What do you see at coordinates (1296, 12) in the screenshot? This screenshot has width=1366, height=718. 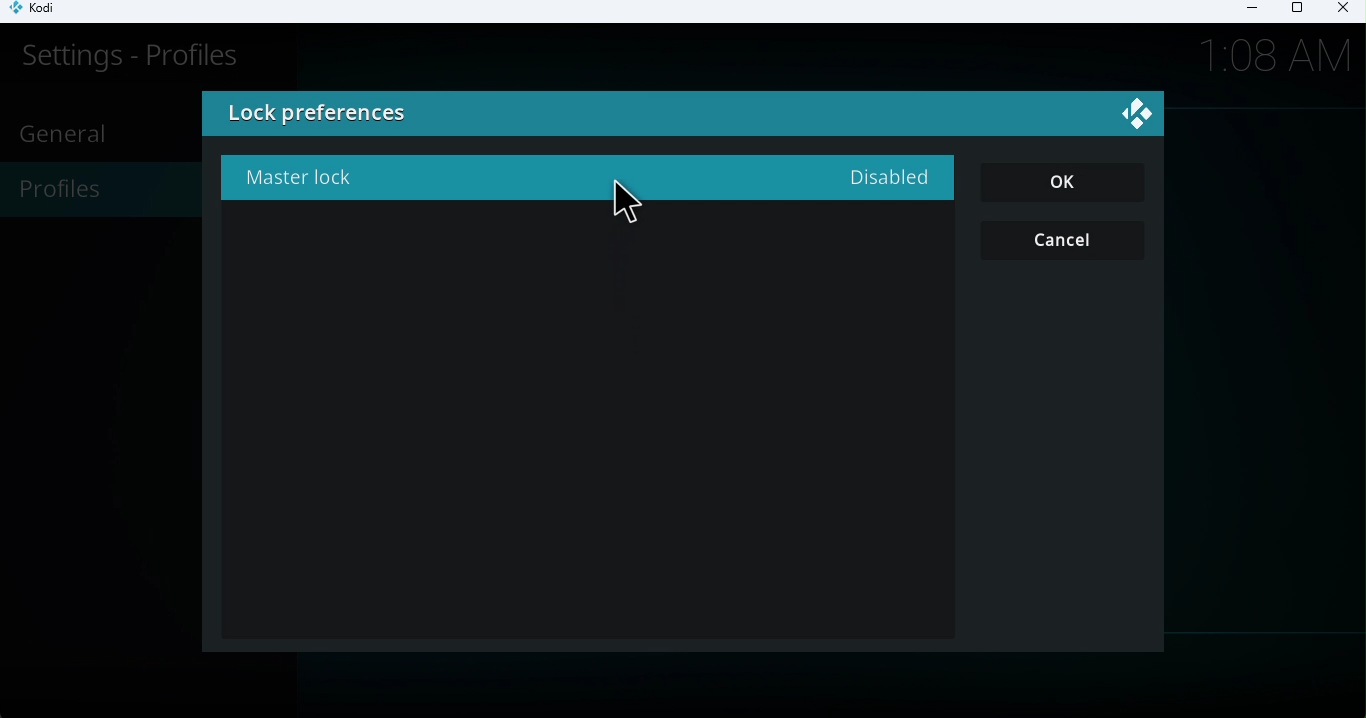 I see `Maximize` at bounding box center [1296, 12].